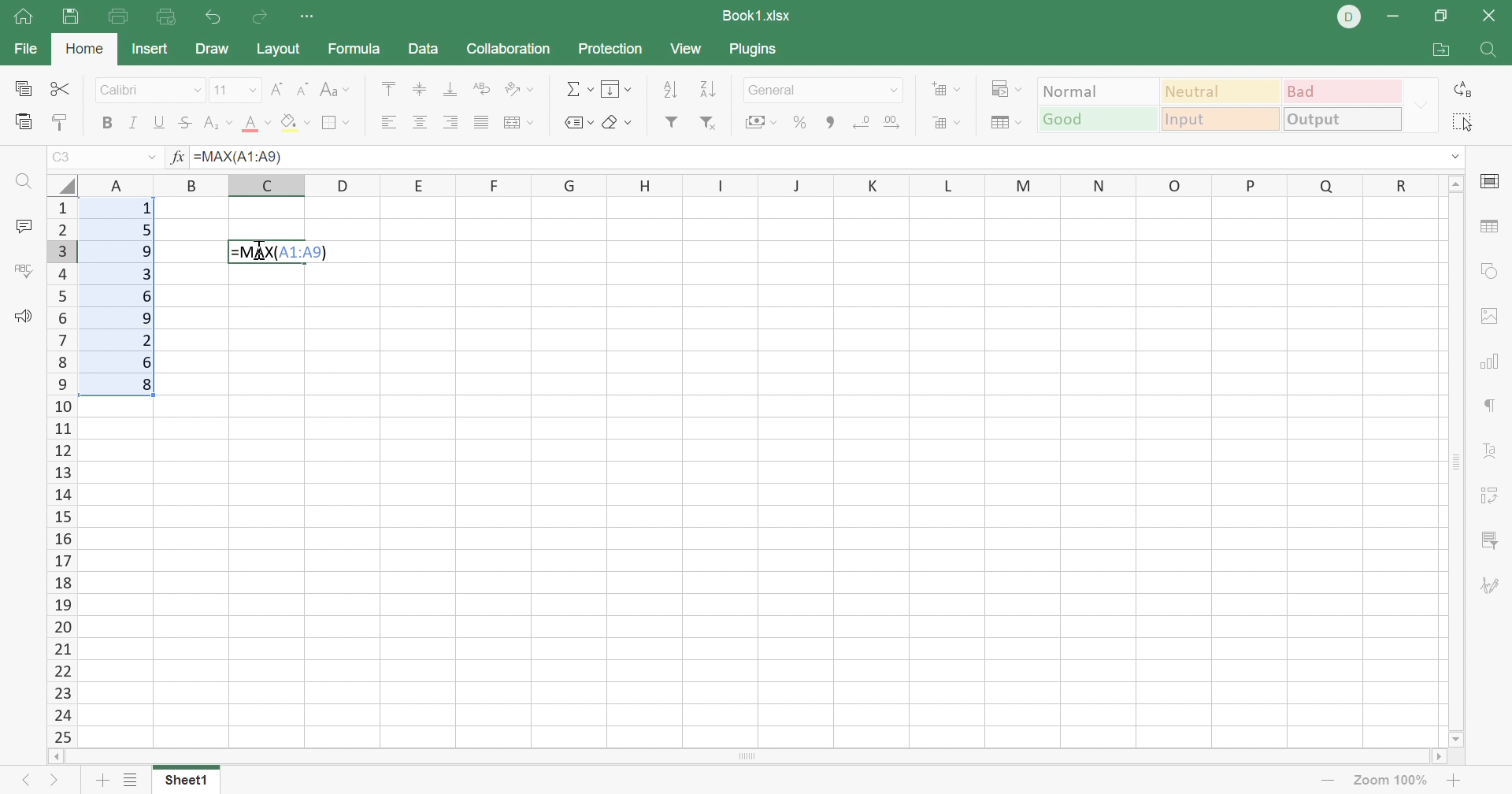  I want to click on Spell Checking, so click(24, 273).